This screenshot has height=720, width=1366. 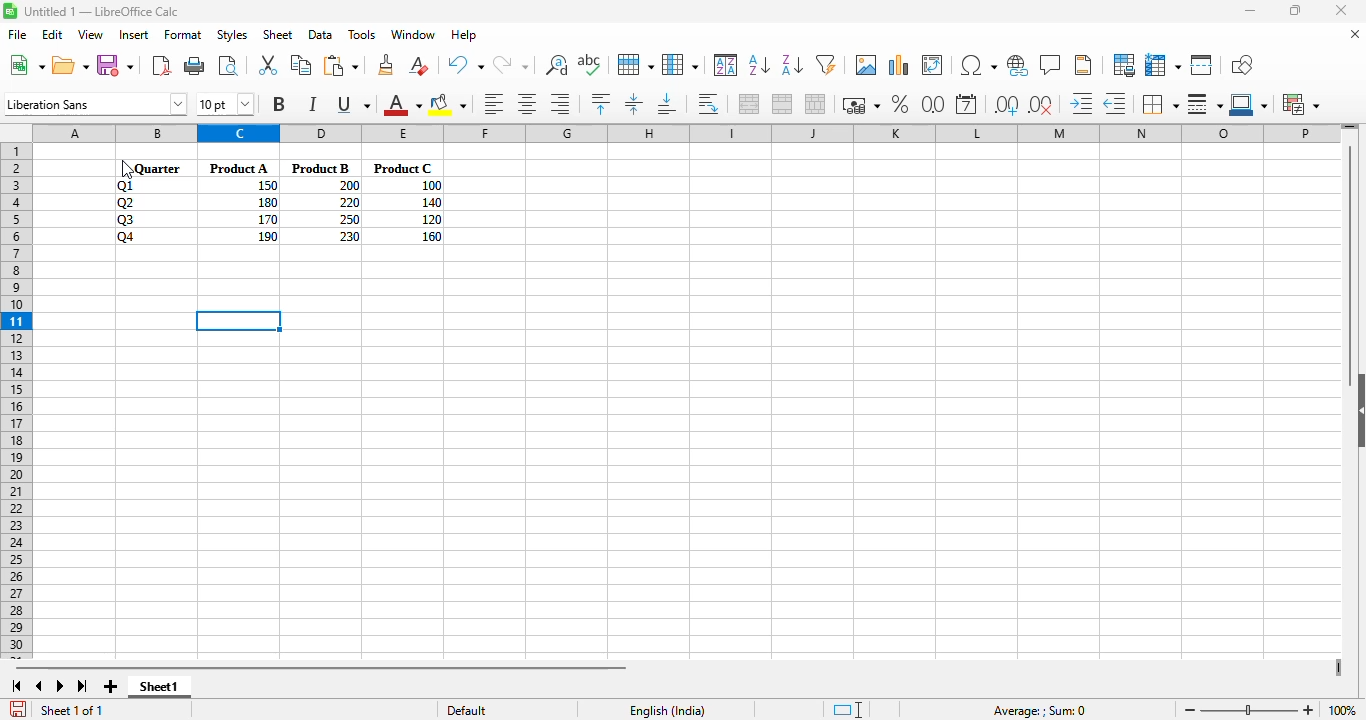 I want to click on border style, so click(x=1205, y=104).